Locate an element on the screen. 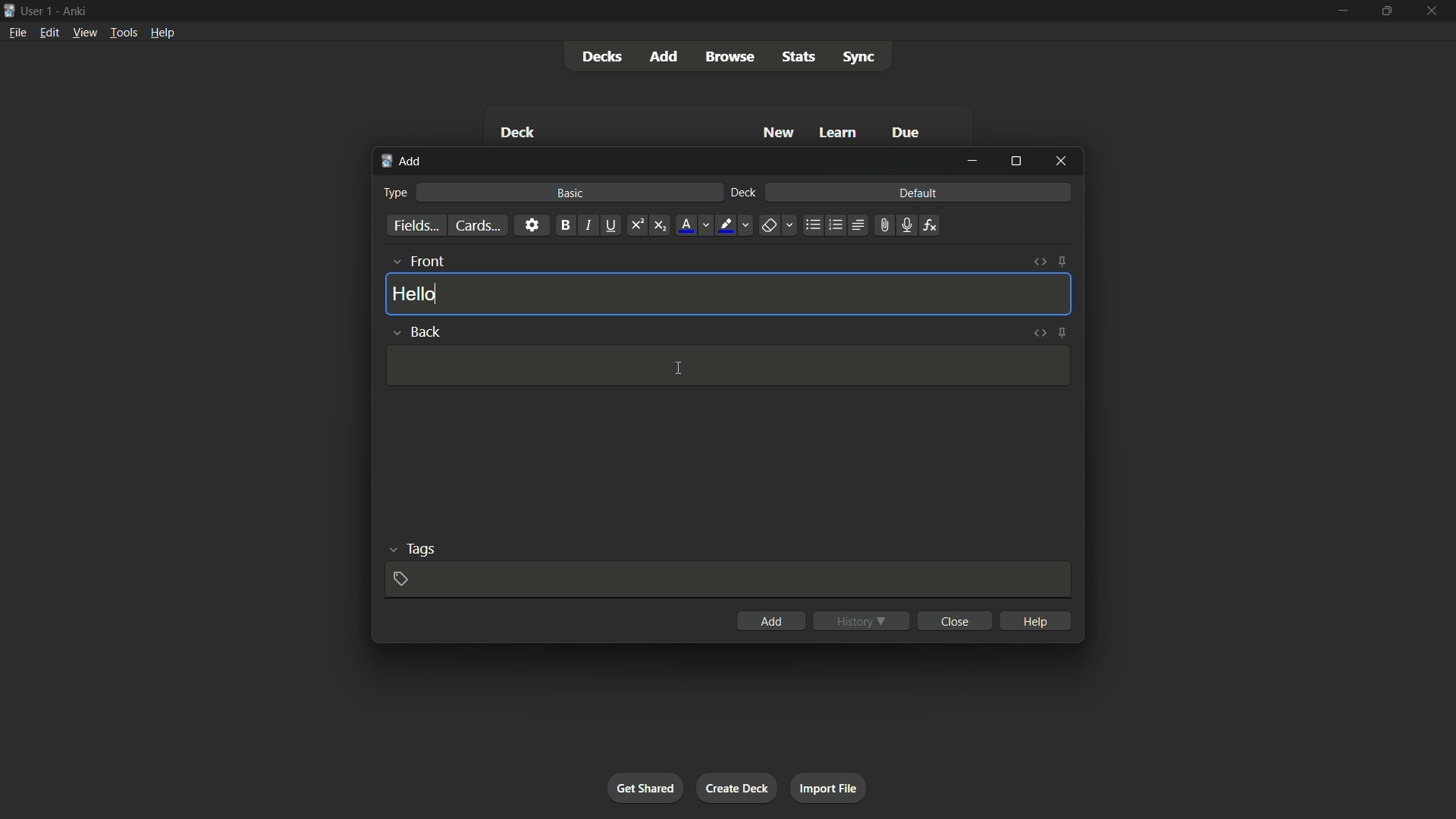 This screenshot has width=1456, height=819. superscript is located at coordinates (636, 224).